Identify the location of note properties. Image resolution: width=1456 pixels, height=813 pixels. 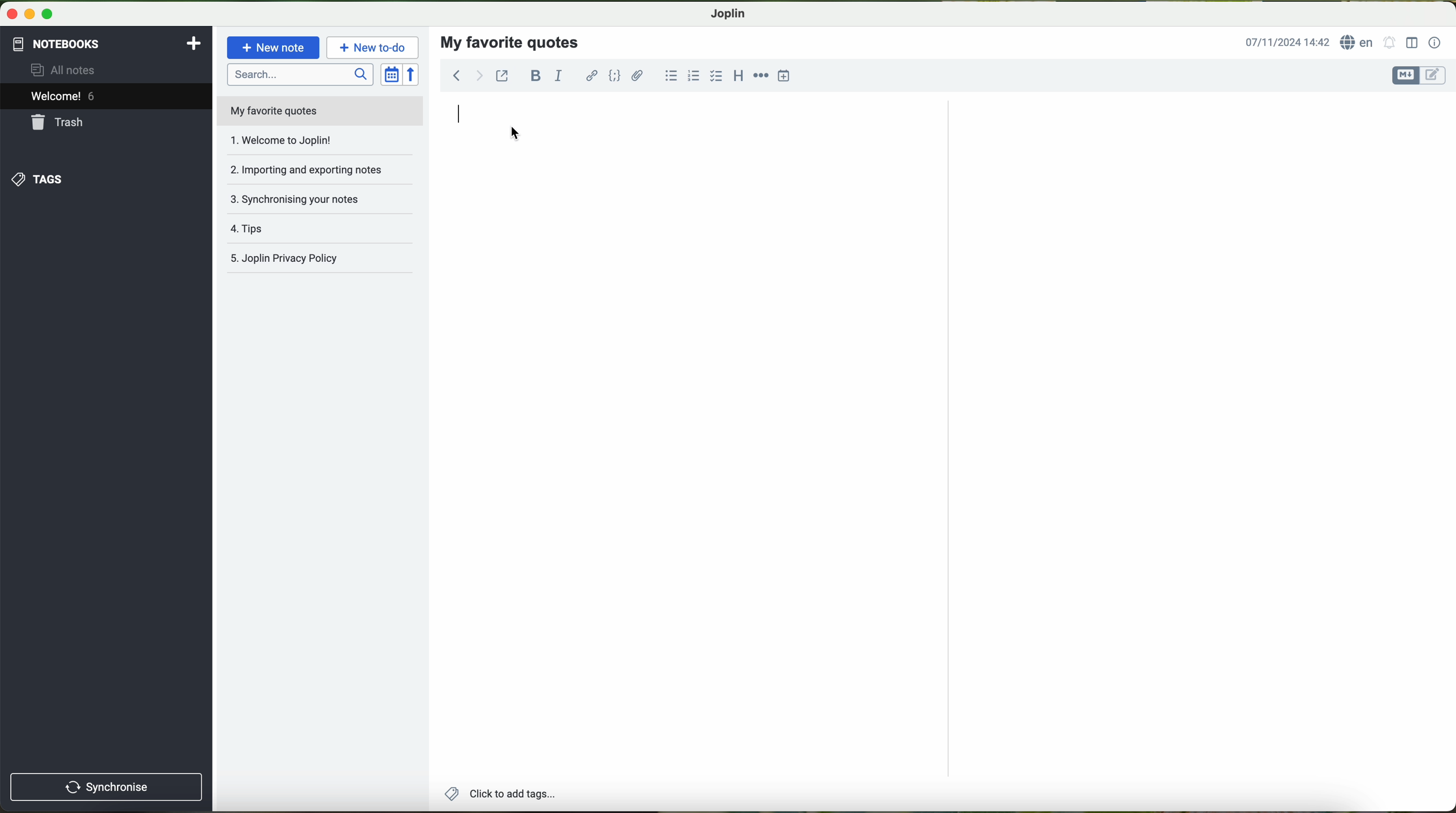
(1436, 42).